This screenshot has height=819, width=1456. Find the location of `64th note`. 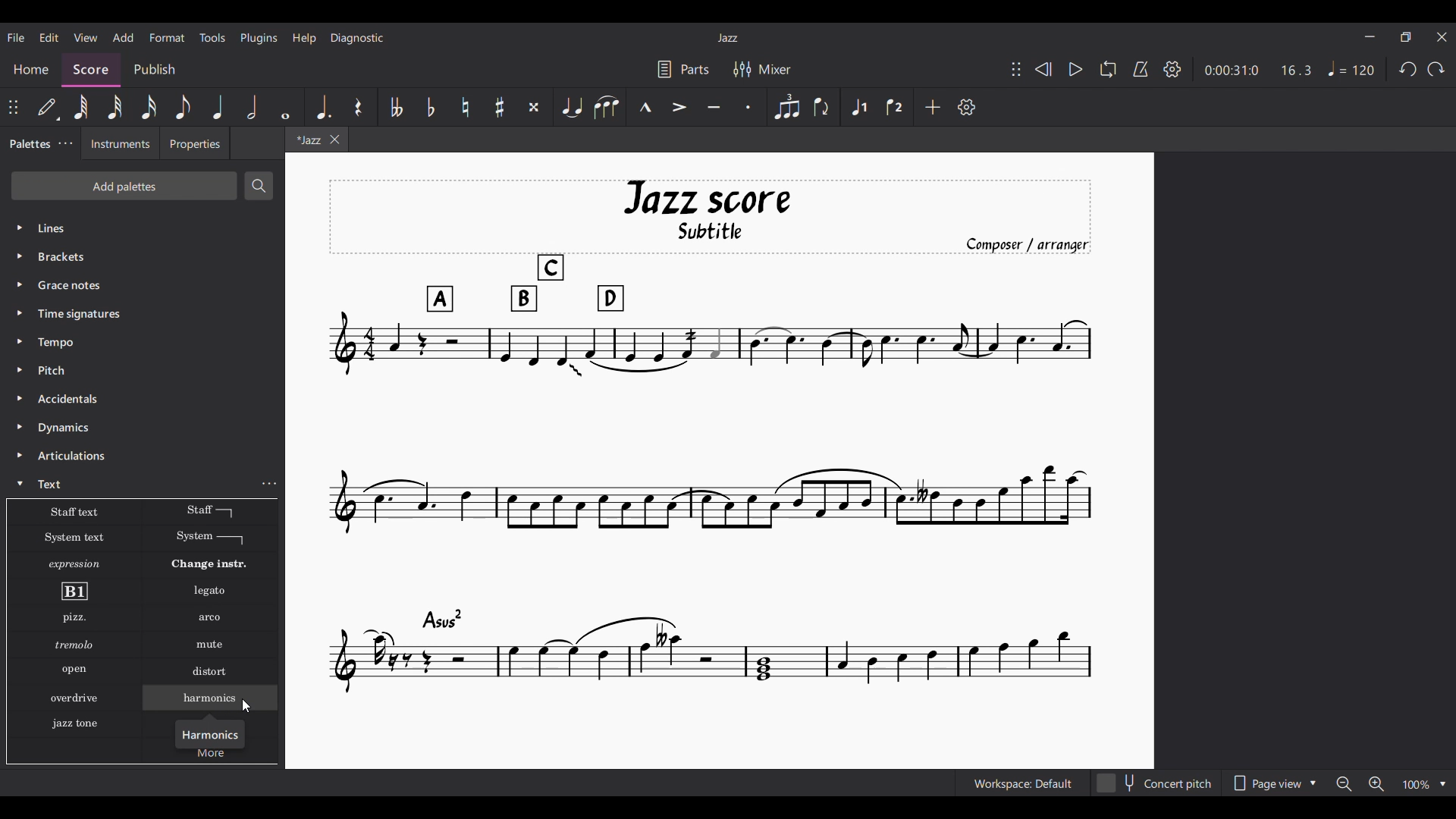

64th note is located at coordinates (80, 107).